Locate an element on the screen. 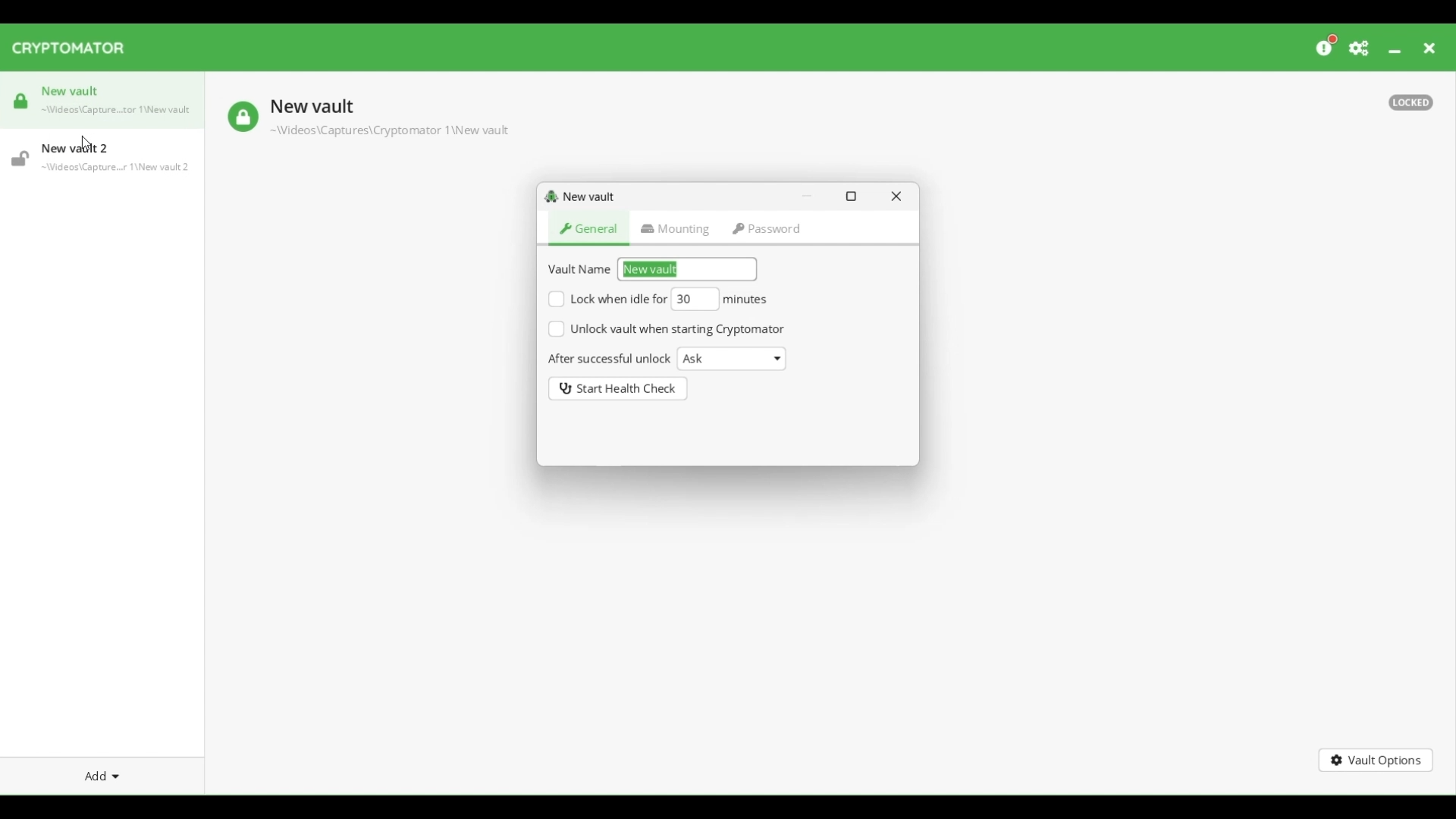 The width and height of the screenshot is (1456, 819). CRYPTOMATOR is located at coordinates (76, 50).